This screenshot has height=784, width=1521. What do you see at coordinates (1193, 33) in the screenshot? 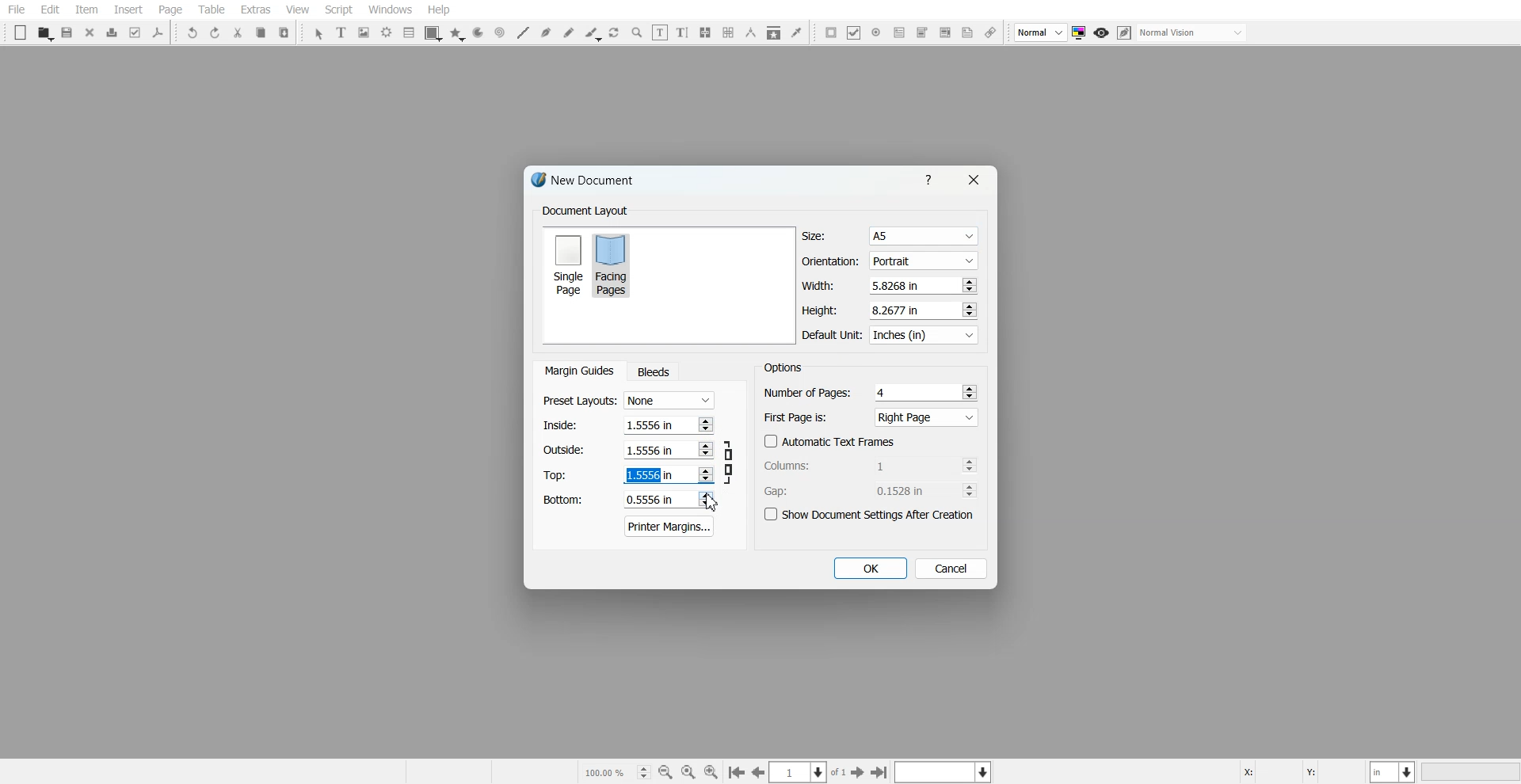
I see `Select visual appearance of the display` at bounding box center [1193, 33].